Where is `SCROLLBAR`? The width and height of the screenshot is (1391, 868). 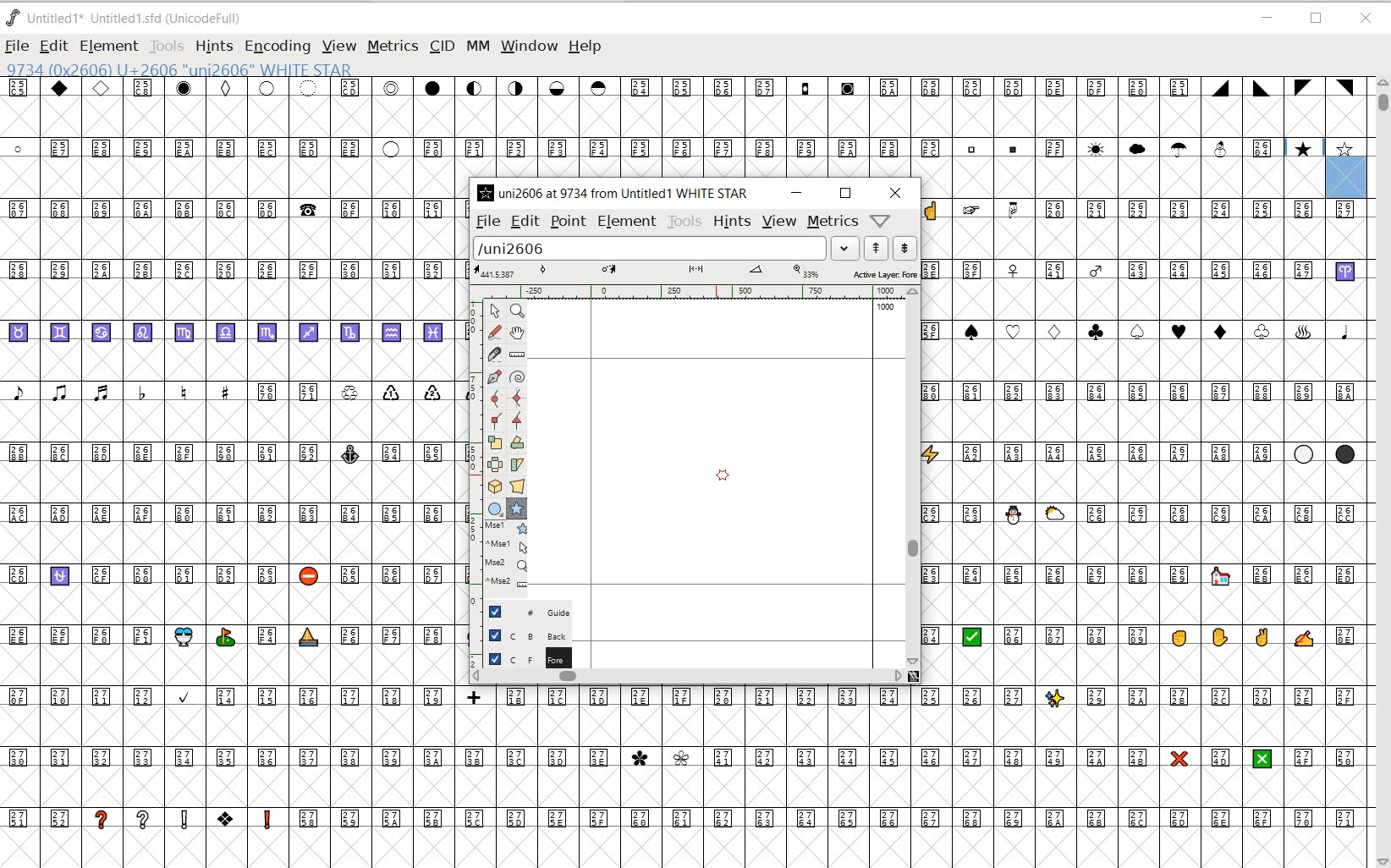 SCROLLBAR is located at coordinates (694, 678).